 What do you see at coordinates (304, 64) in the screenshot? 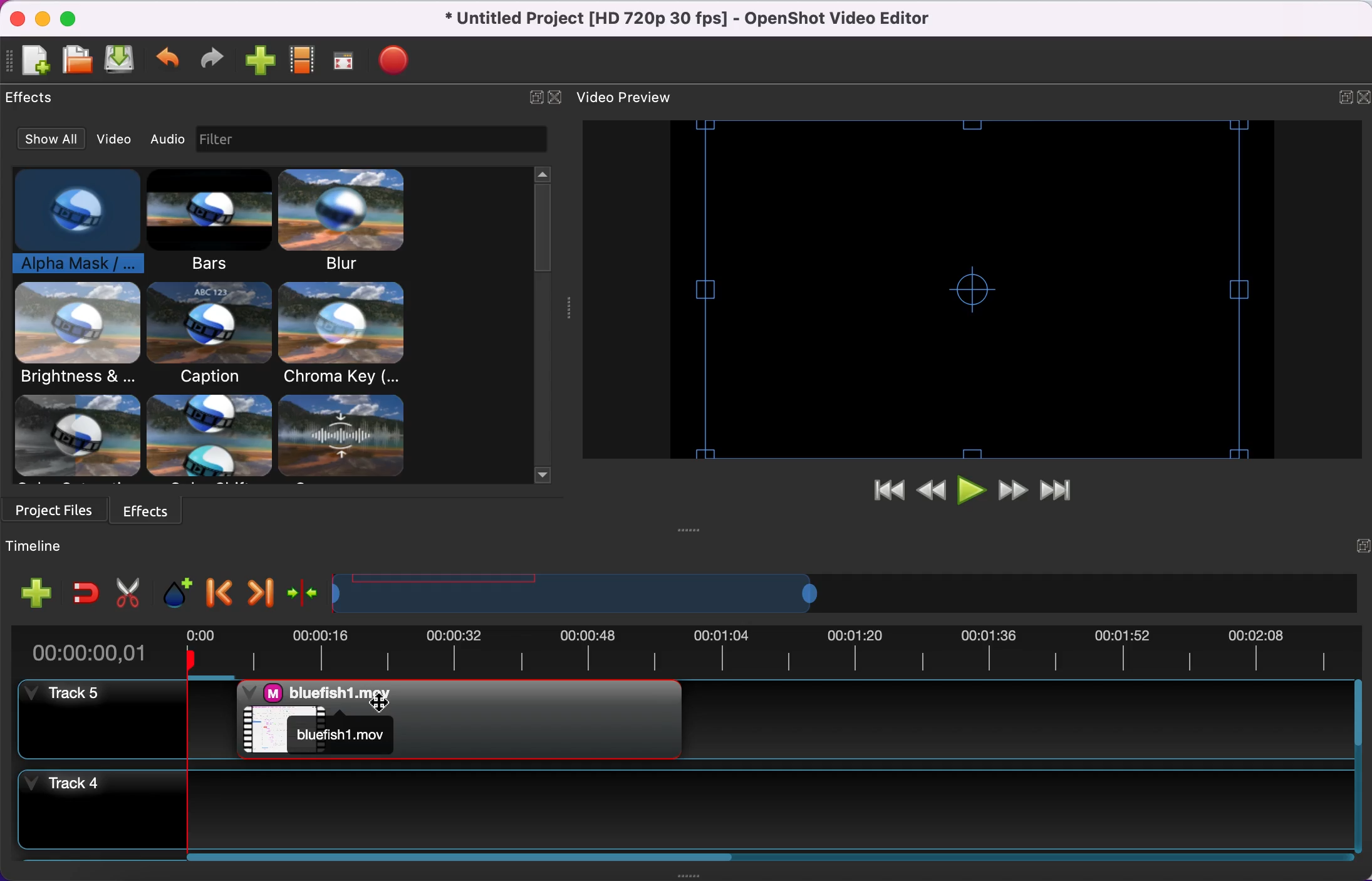
I see `choose profiles` at bounding box center [304, 64].